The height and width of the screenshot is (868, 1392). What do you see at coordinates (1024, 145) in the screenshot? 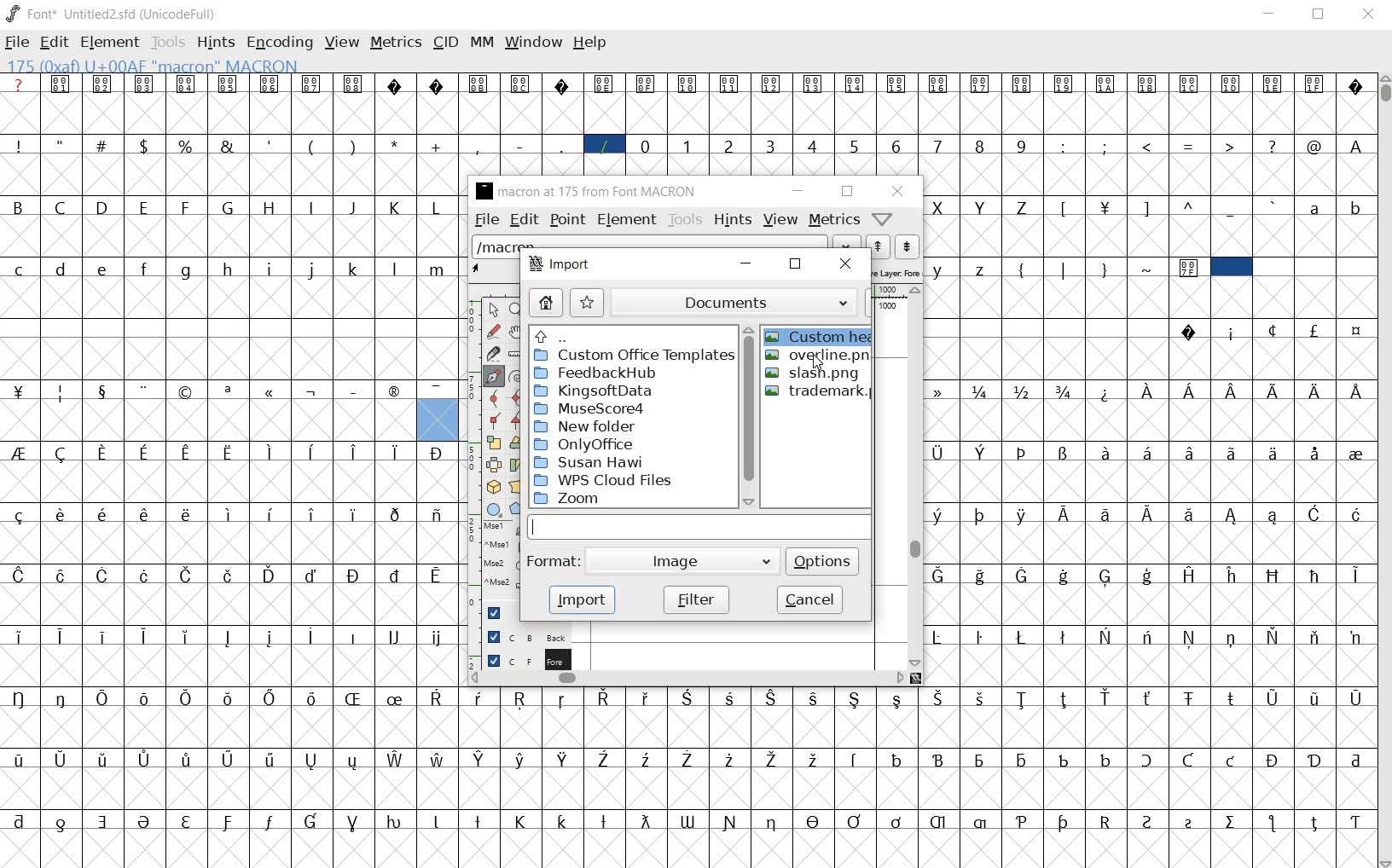
I see `9` at bounding box center [1024, 145].